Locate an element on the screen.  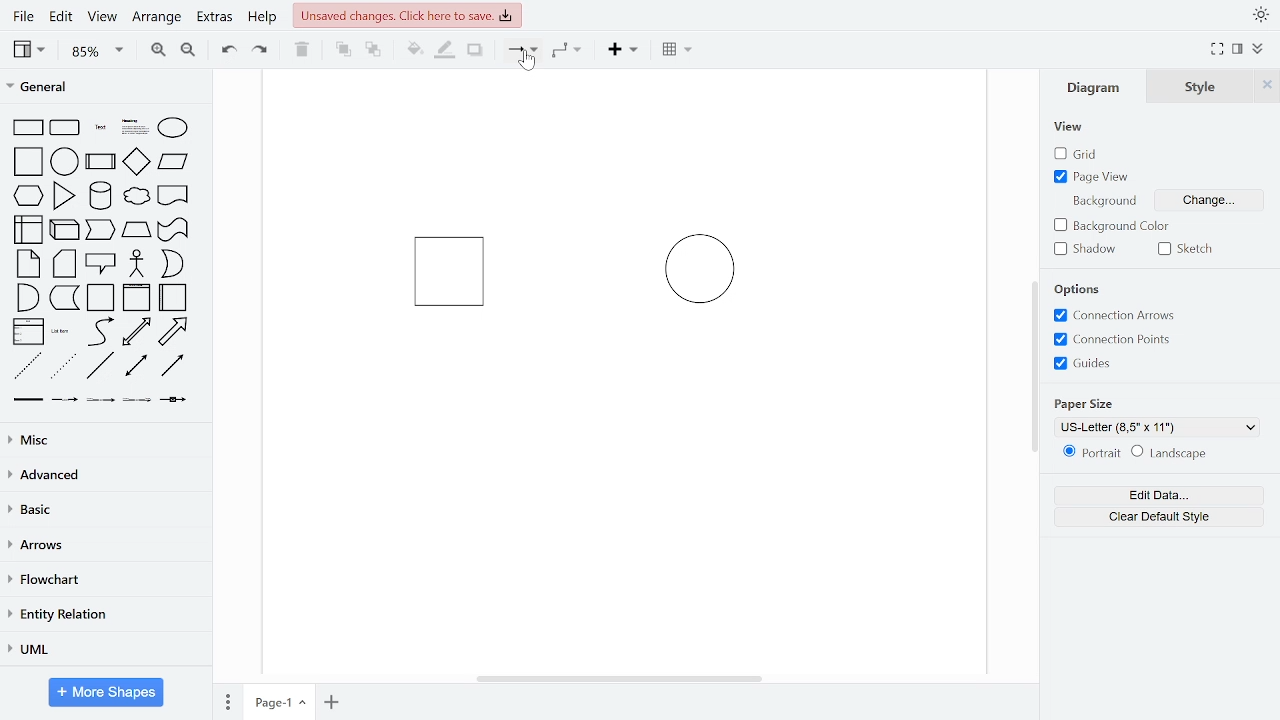
square is located at coordinates (30, 163).